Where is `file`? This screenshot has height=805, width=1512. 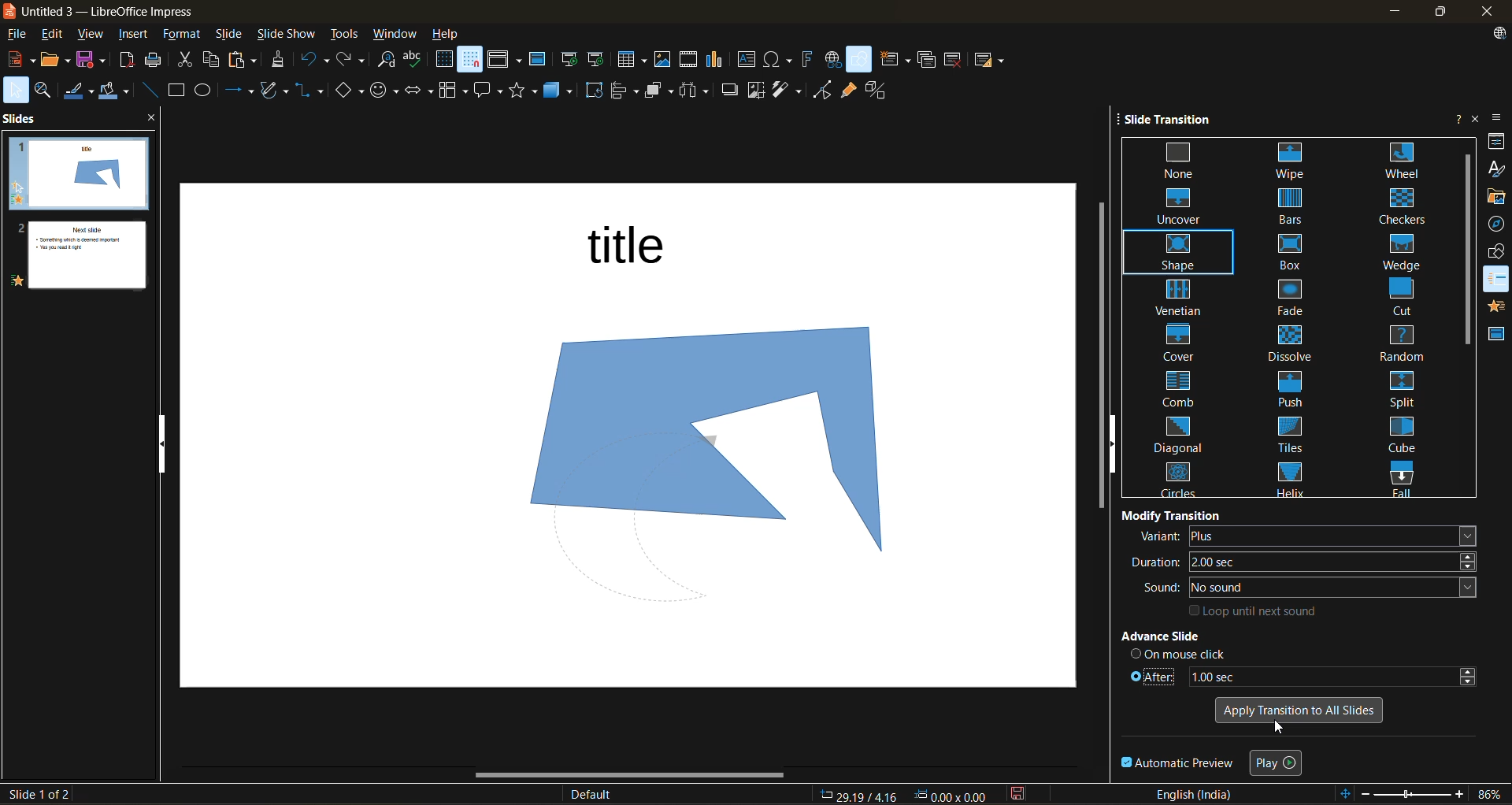 file is located at coordinates (21, 35).